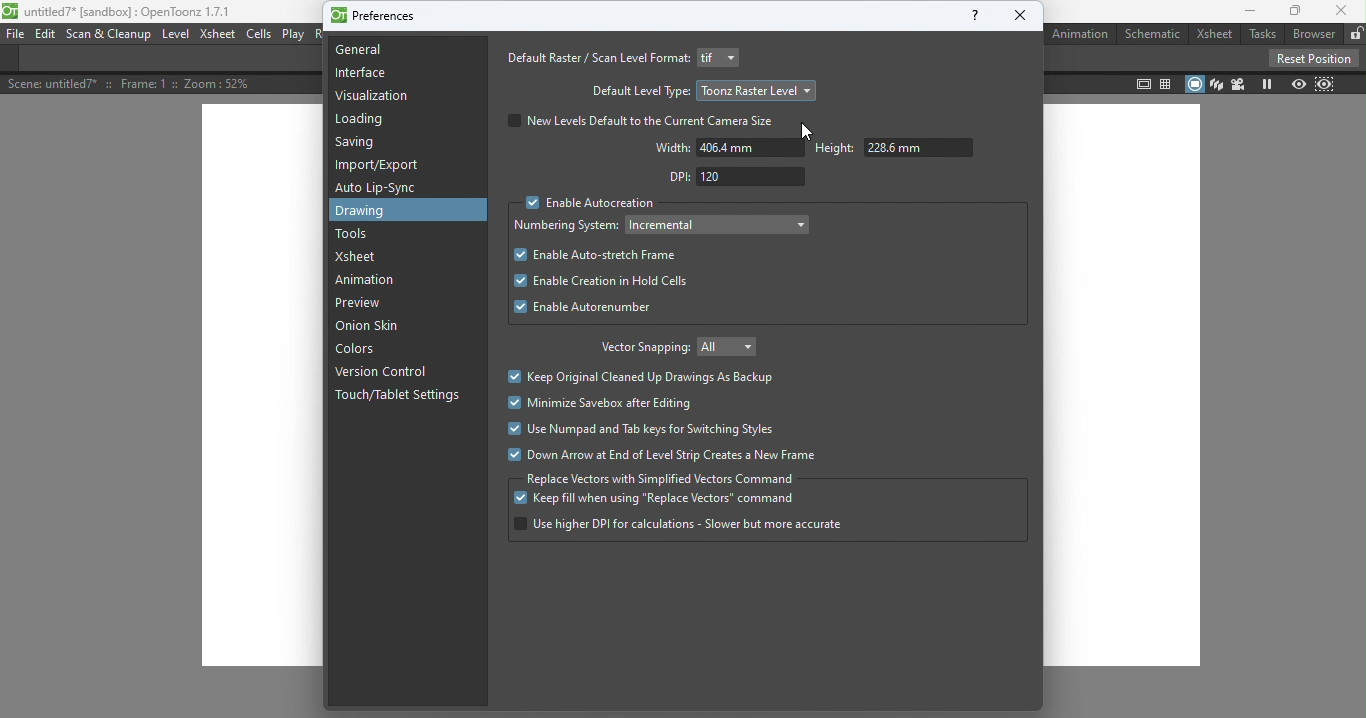  What do you see at coordinates (374, 96) in the screenshot?
I see `Visualization` at bounding box center [374, 96].